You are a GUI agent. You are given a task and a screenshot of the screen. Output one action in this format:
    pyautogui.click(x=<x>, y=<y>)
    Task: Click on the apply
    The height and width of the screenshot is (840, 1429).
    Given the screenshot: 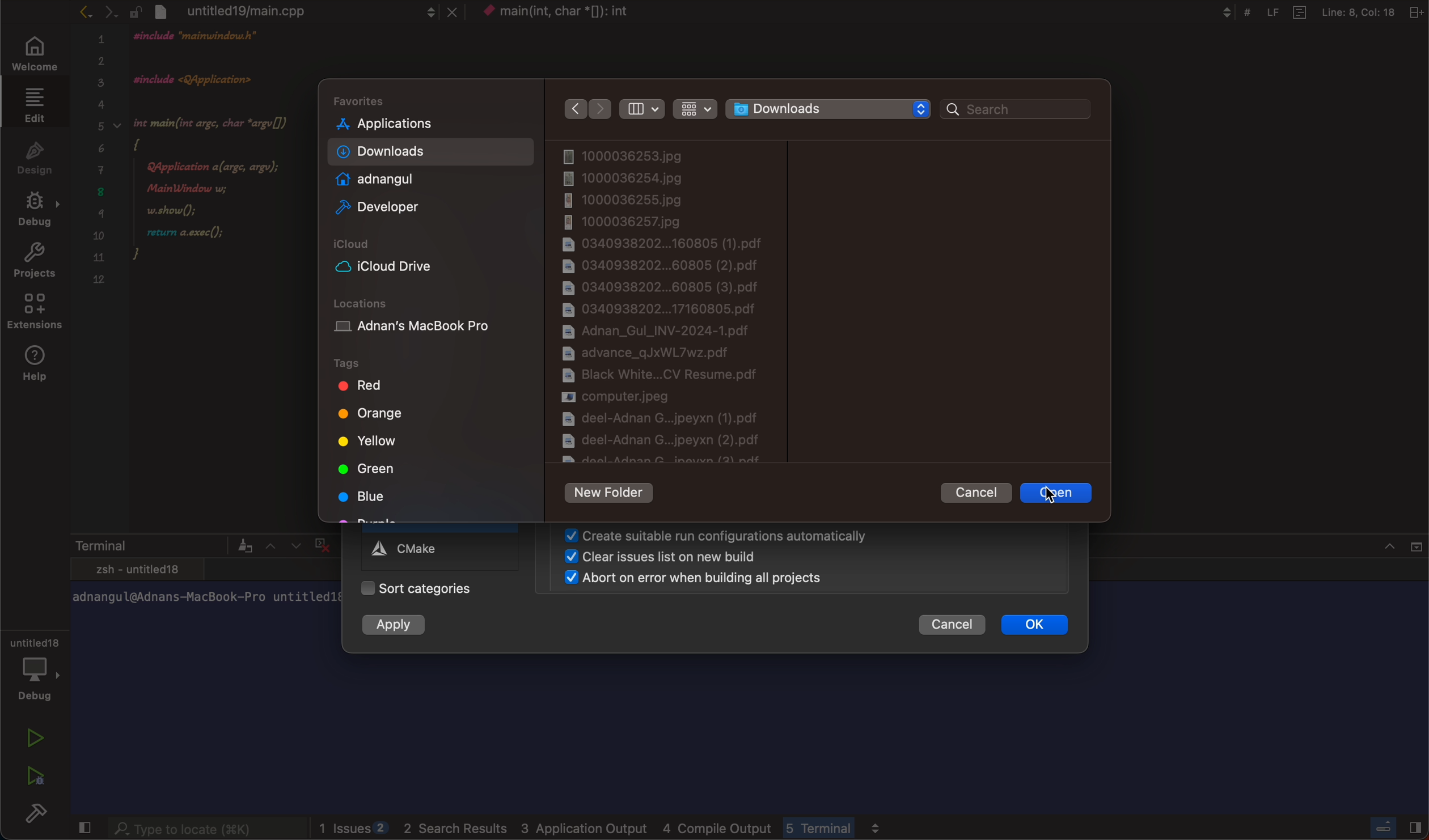 What is the action you would take?
    pyautogui.click(x=404, y=625)
    